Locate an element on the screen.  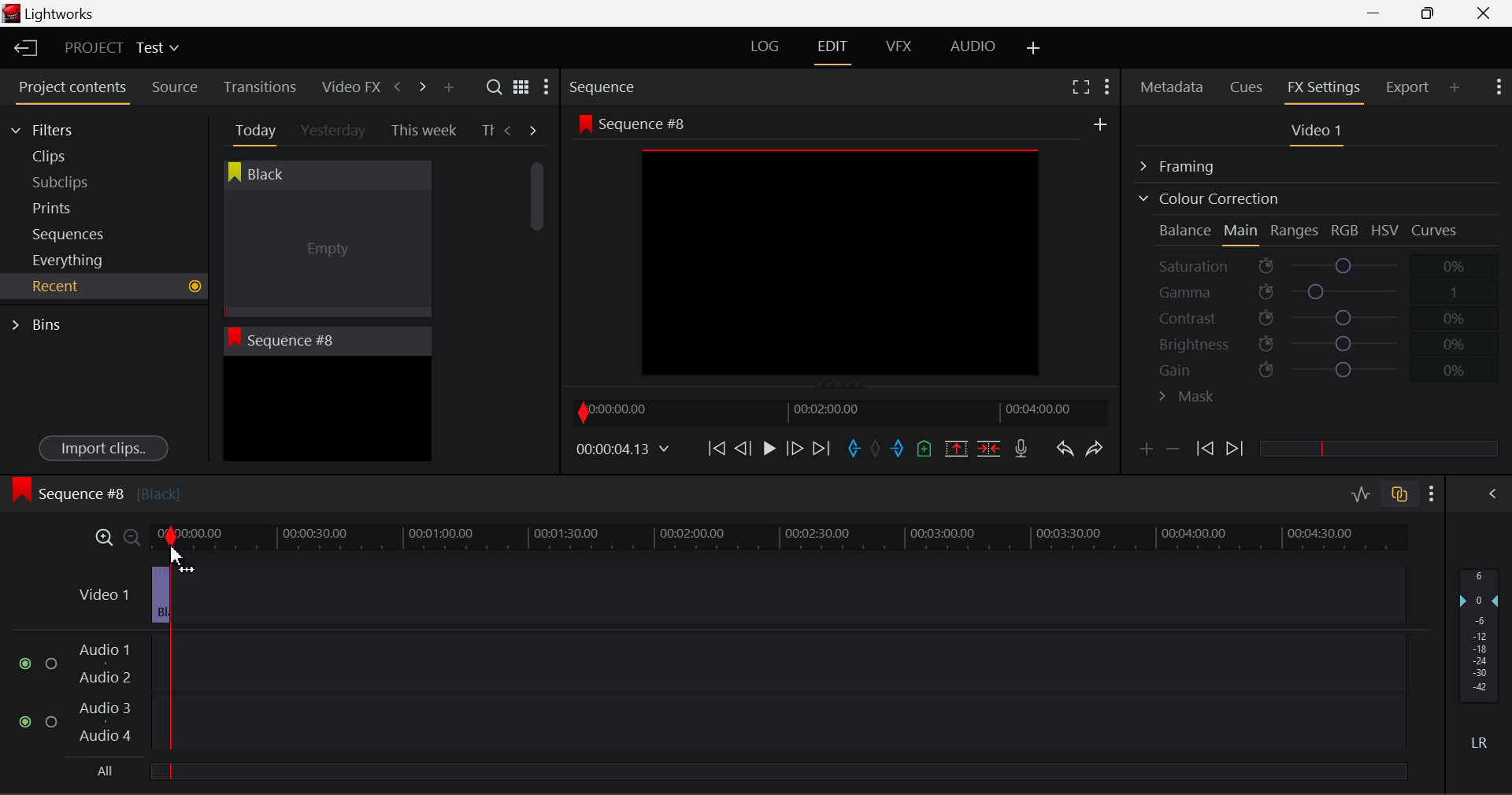
Add Panel is located at coordinates (448, 88).